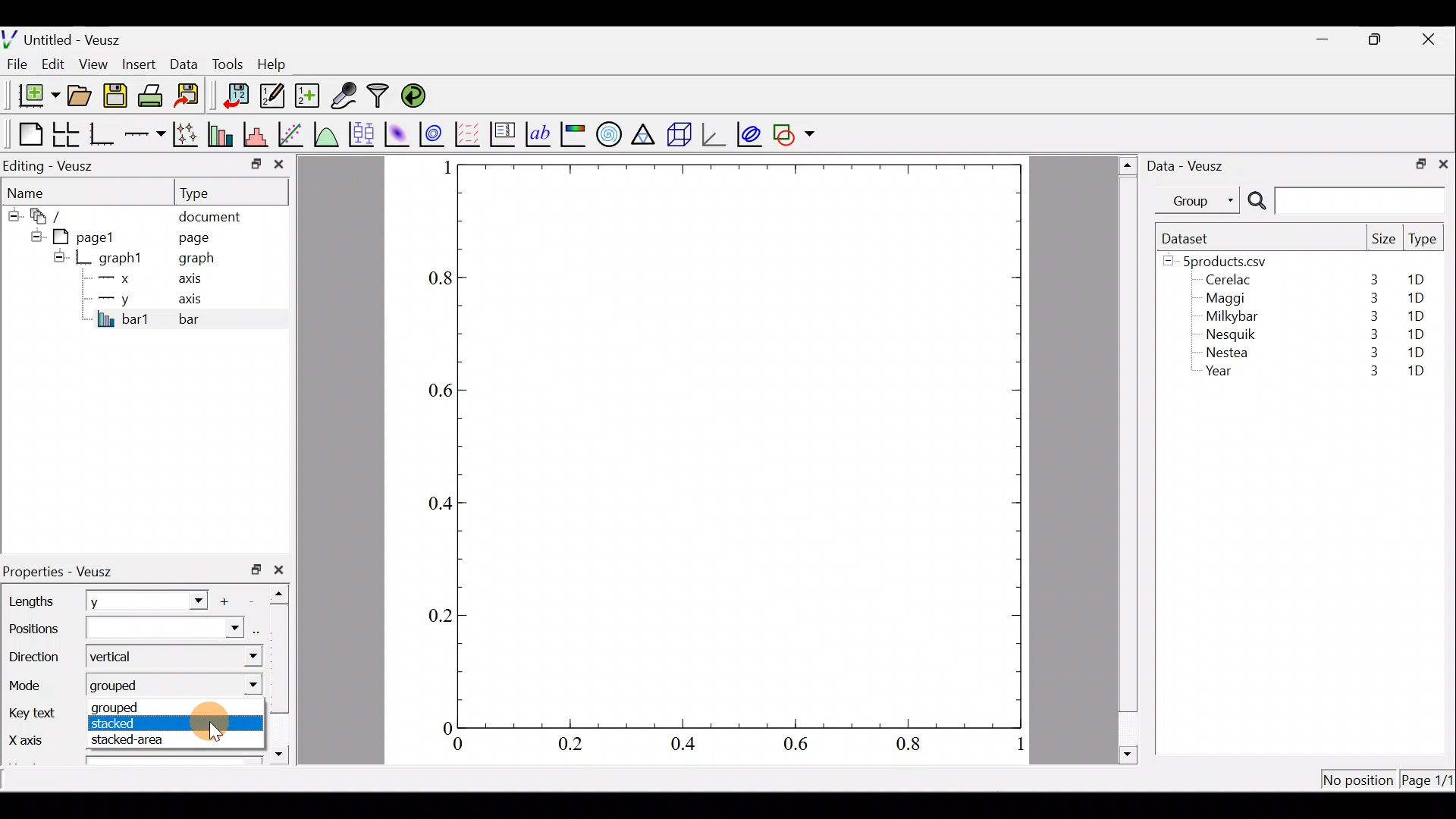 Image resolution: width=1456 pixels, height=819 pixels. Describe the element at coordinates (118, 278) in the screenshot. I see `x` at that location.